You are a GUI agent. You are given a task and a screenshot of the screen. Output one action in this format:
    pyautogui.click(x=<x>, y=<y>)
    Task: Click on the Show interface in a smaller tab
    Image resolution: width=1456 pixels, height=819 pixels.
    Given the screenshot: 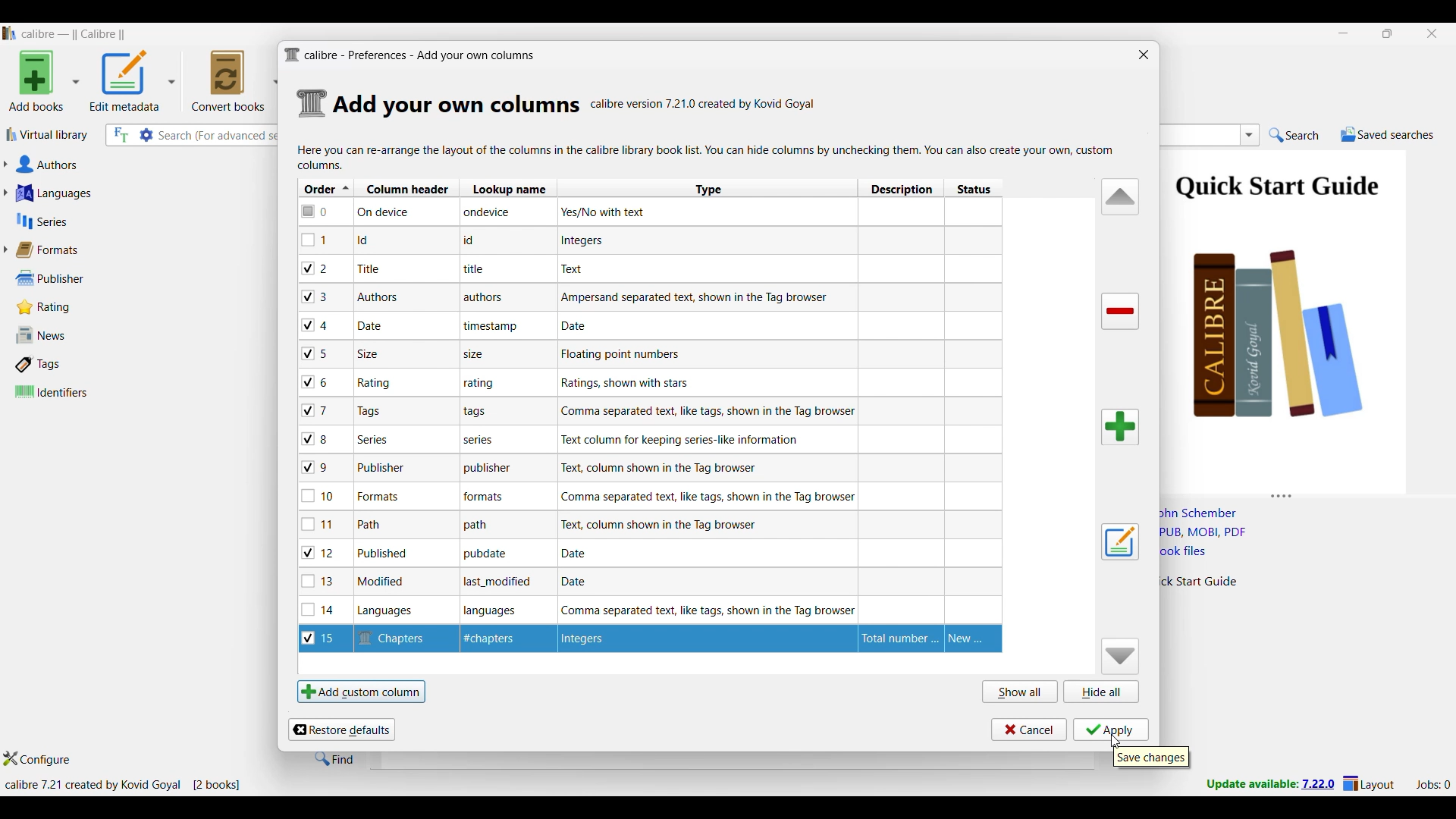 What is the action you would take?
    pyautogui.click(x=1389, y=33)
    